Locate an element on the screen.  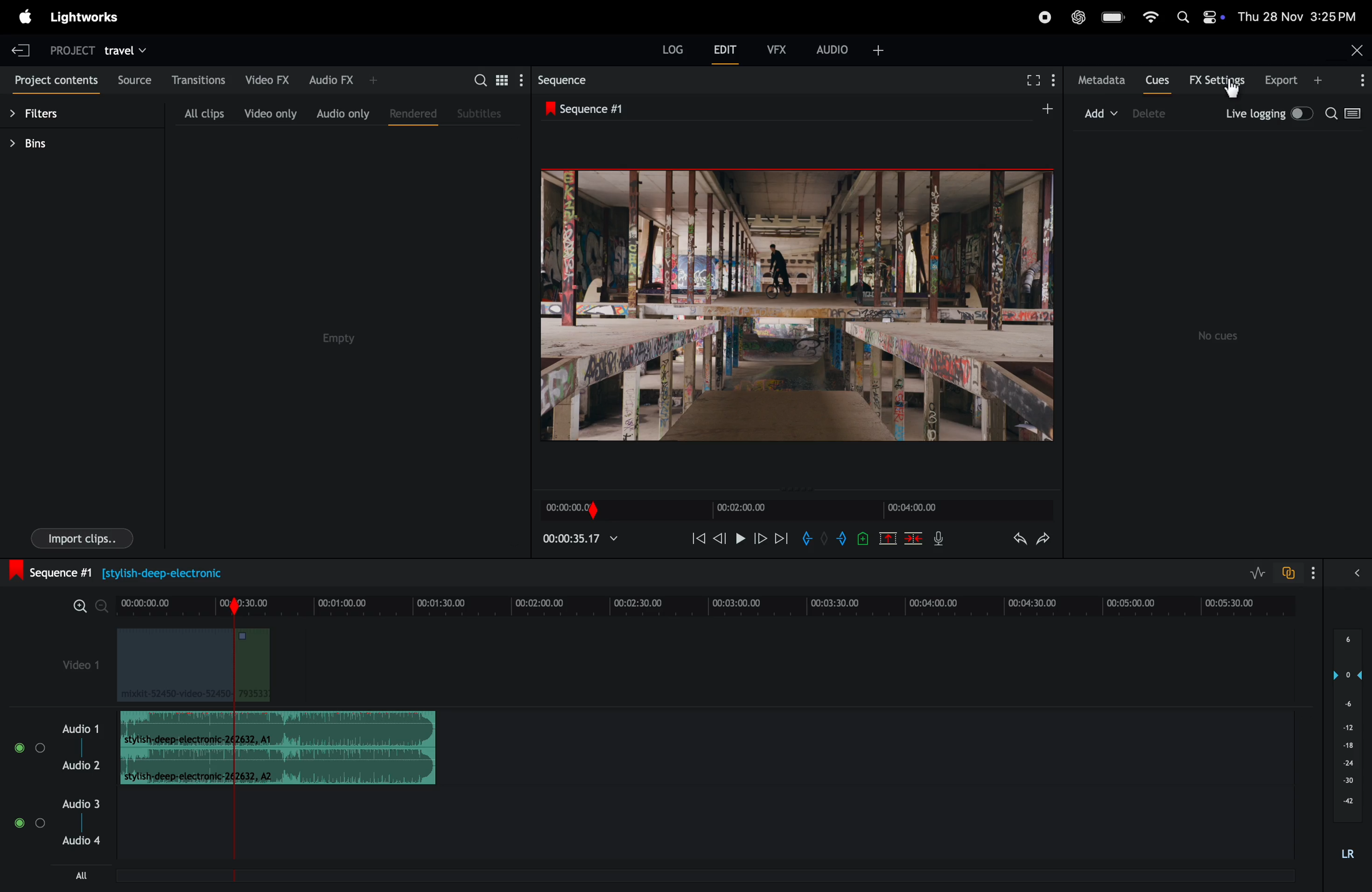
time frames is located at coordinates (793, 511).